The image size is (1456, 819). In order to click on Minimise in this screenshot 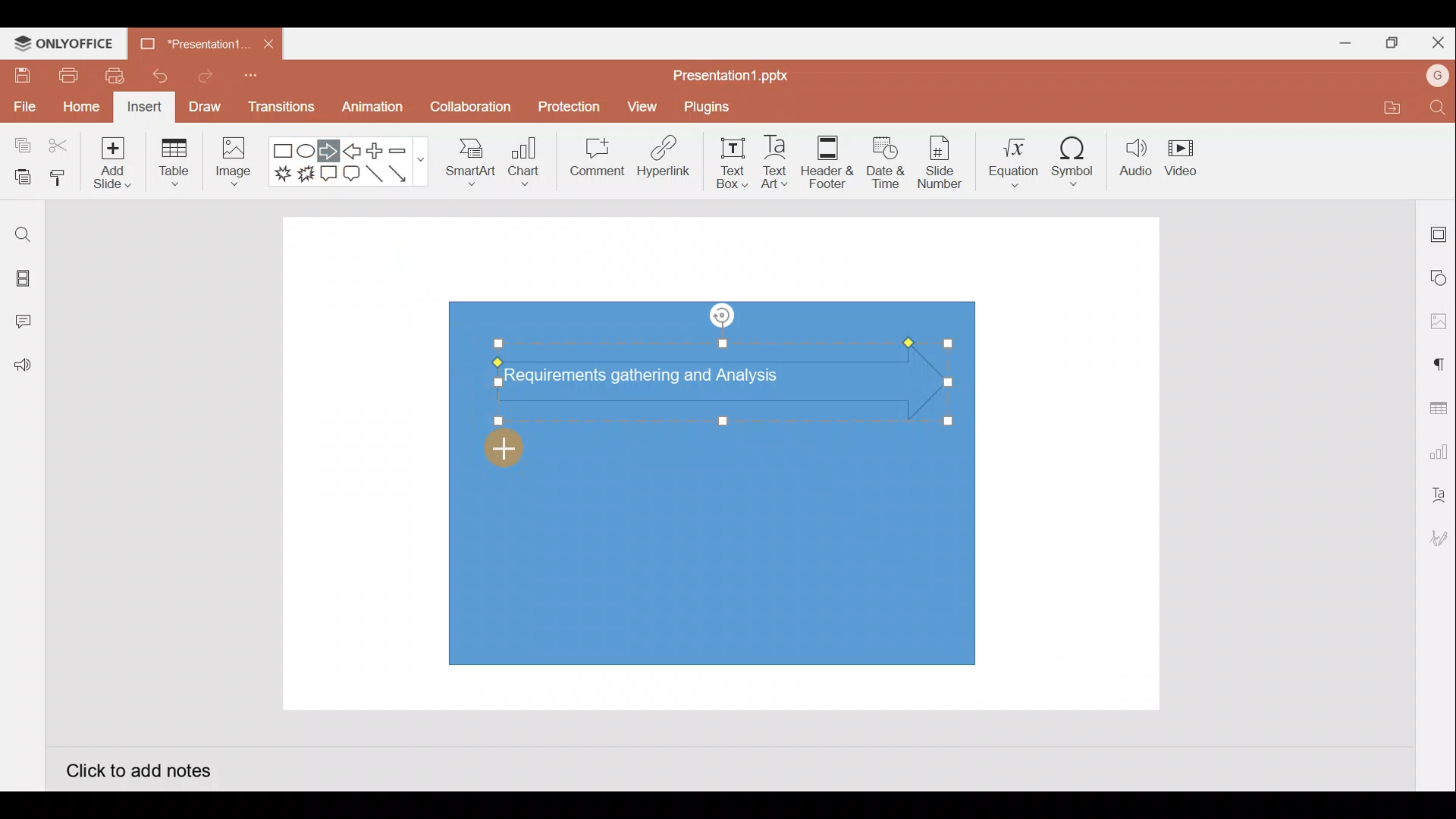, I will do `click(1339, 40)`.